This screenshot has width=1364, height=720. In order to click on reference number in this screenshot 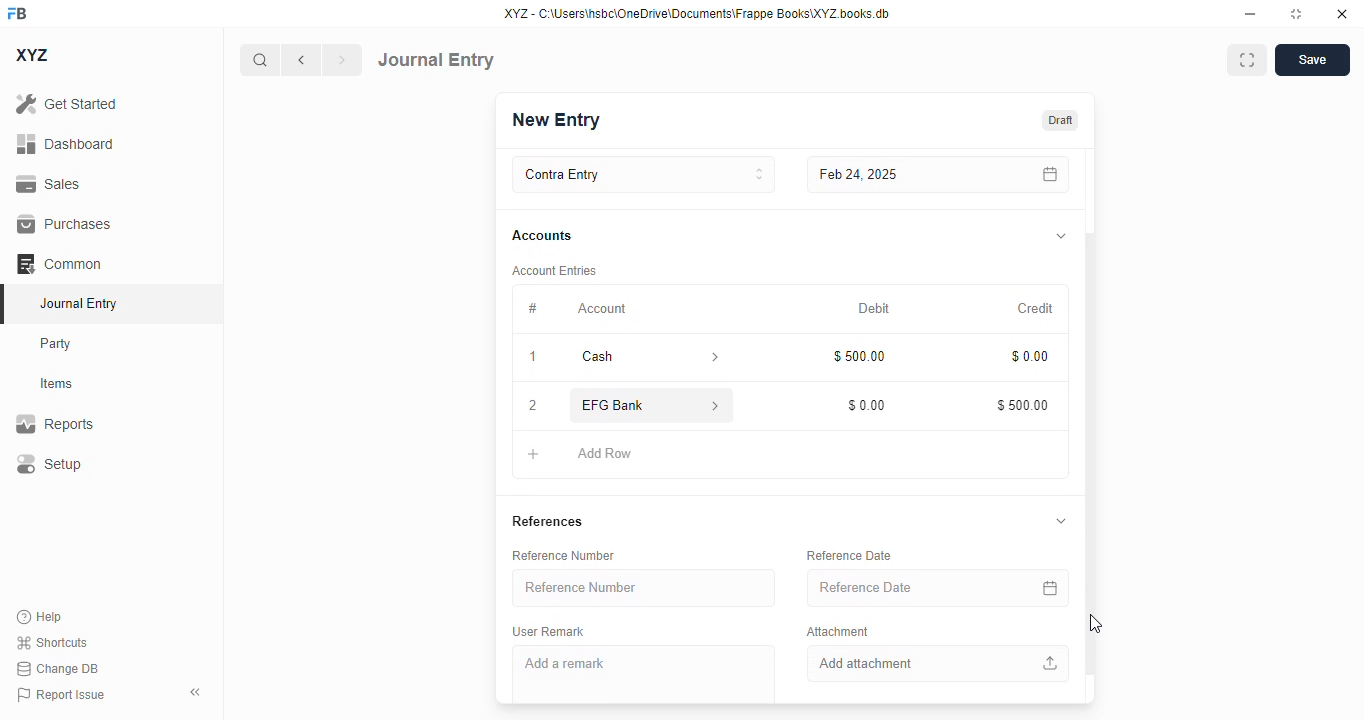, I will do `click(645, 588)`.